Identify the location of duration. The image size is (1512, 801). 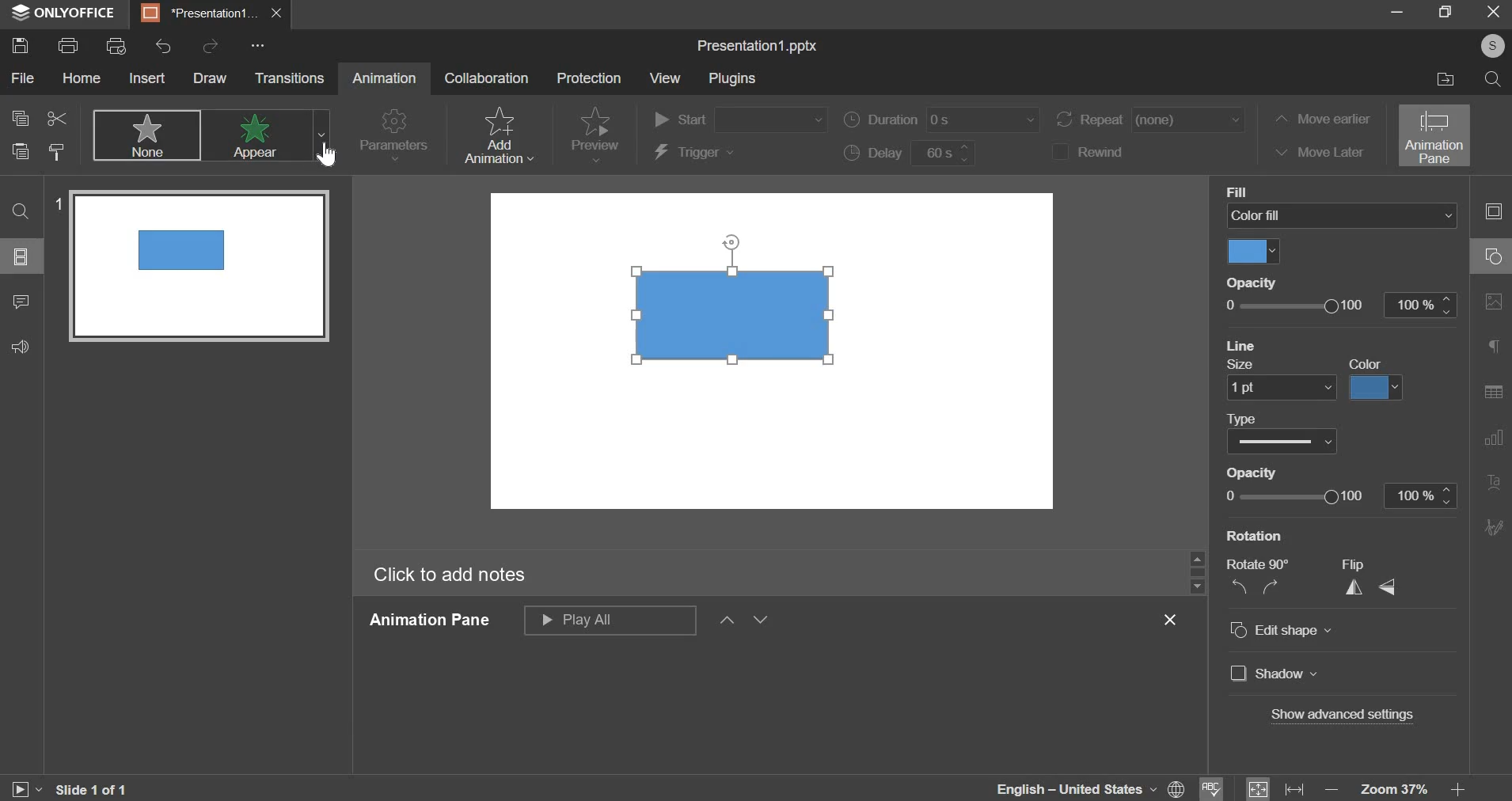
(944, 119).